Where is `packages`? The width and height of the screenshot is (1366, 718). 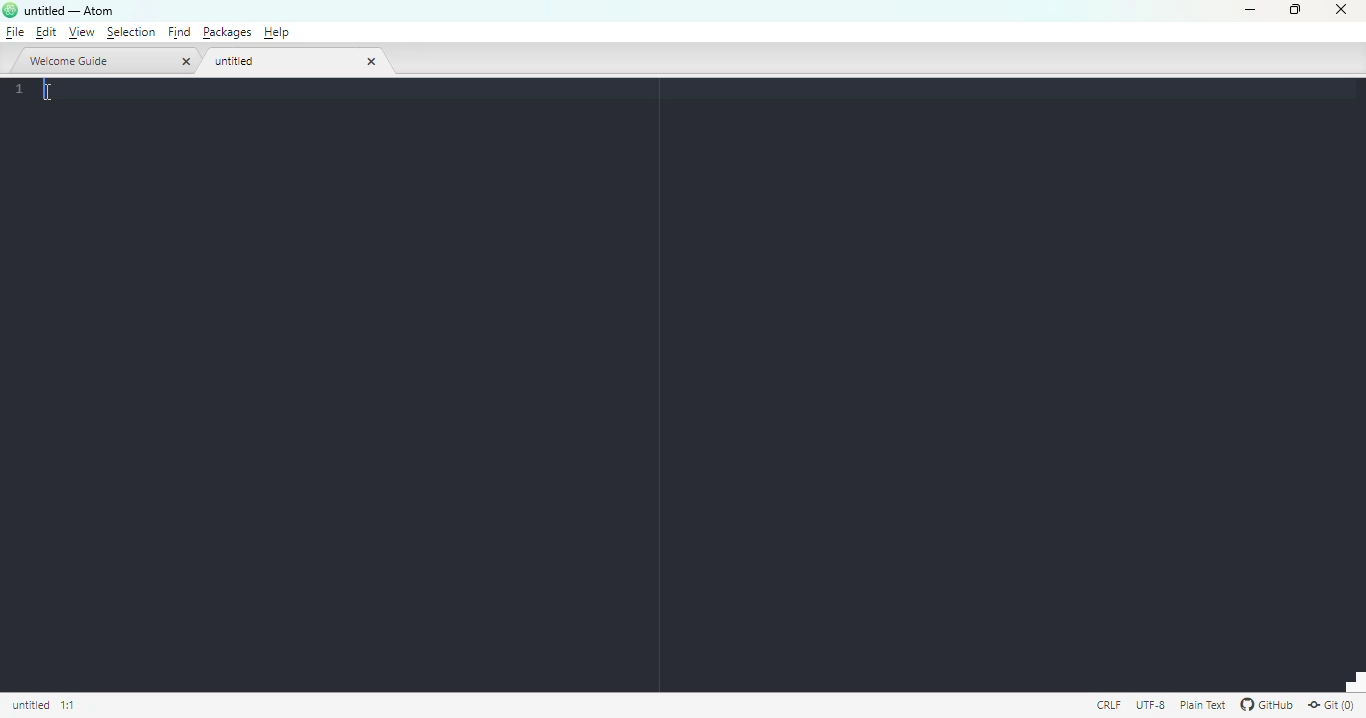
packages is located at coordinates (226, 32).